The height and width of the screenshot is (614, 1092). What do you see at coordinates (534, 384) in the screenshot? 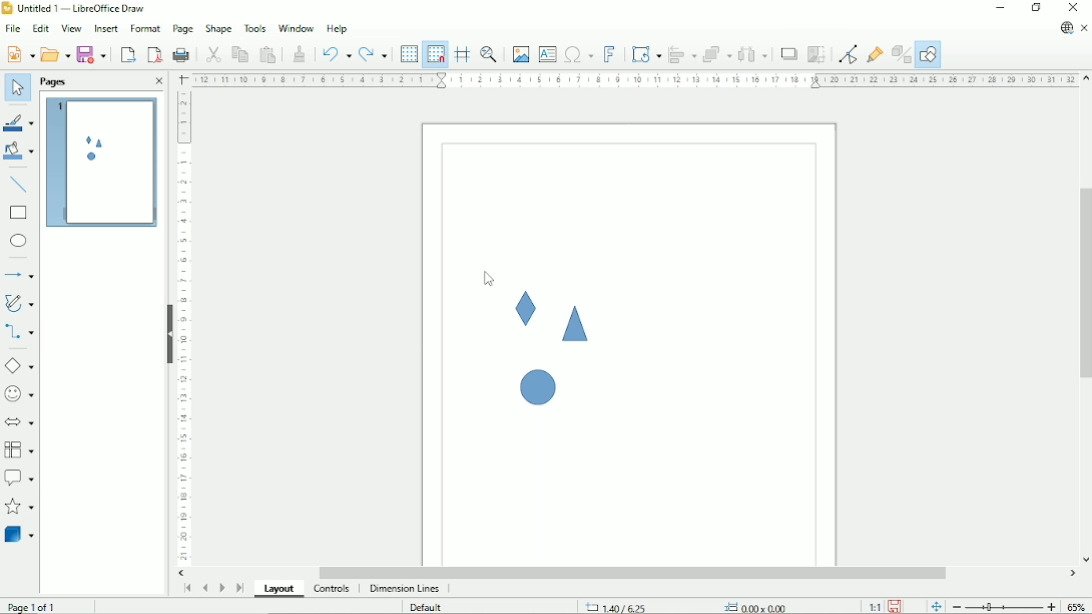
I see `Shape` at bounding box center [534, 384].